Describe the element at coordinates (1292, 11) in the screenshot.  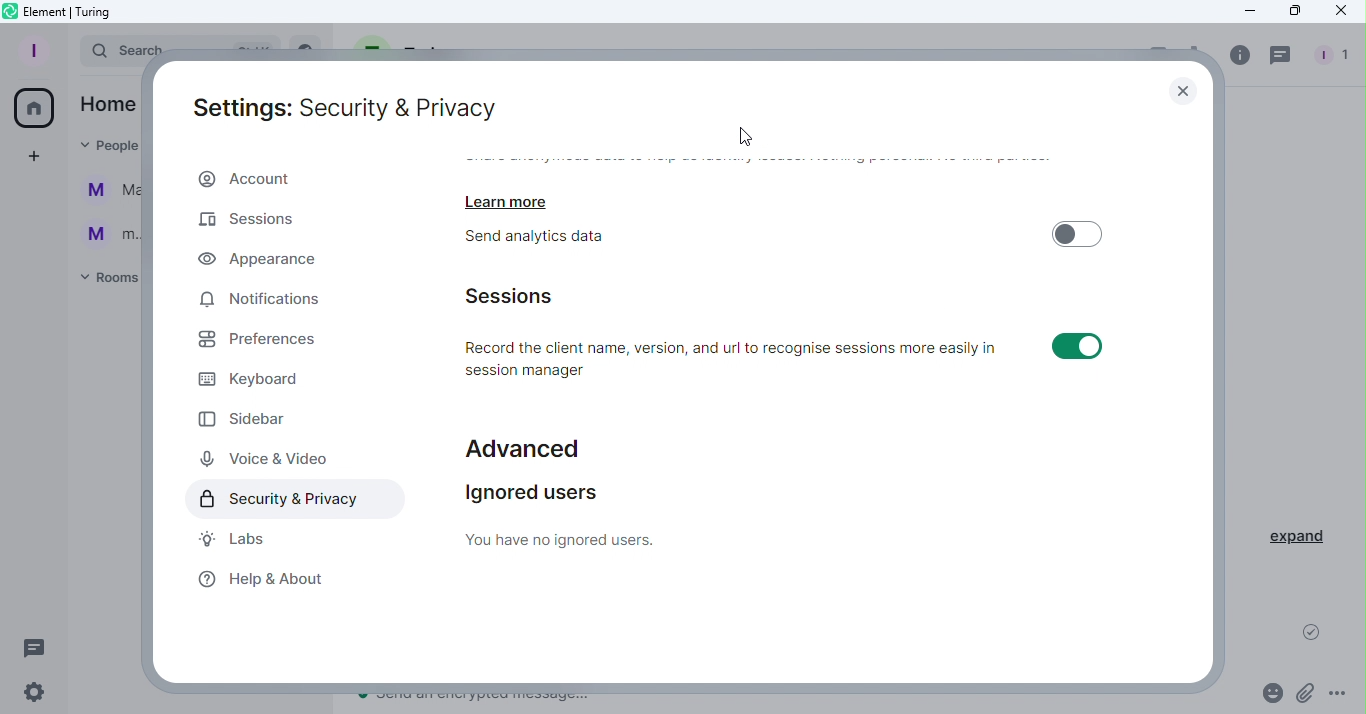
I see `Maximize` at that location.